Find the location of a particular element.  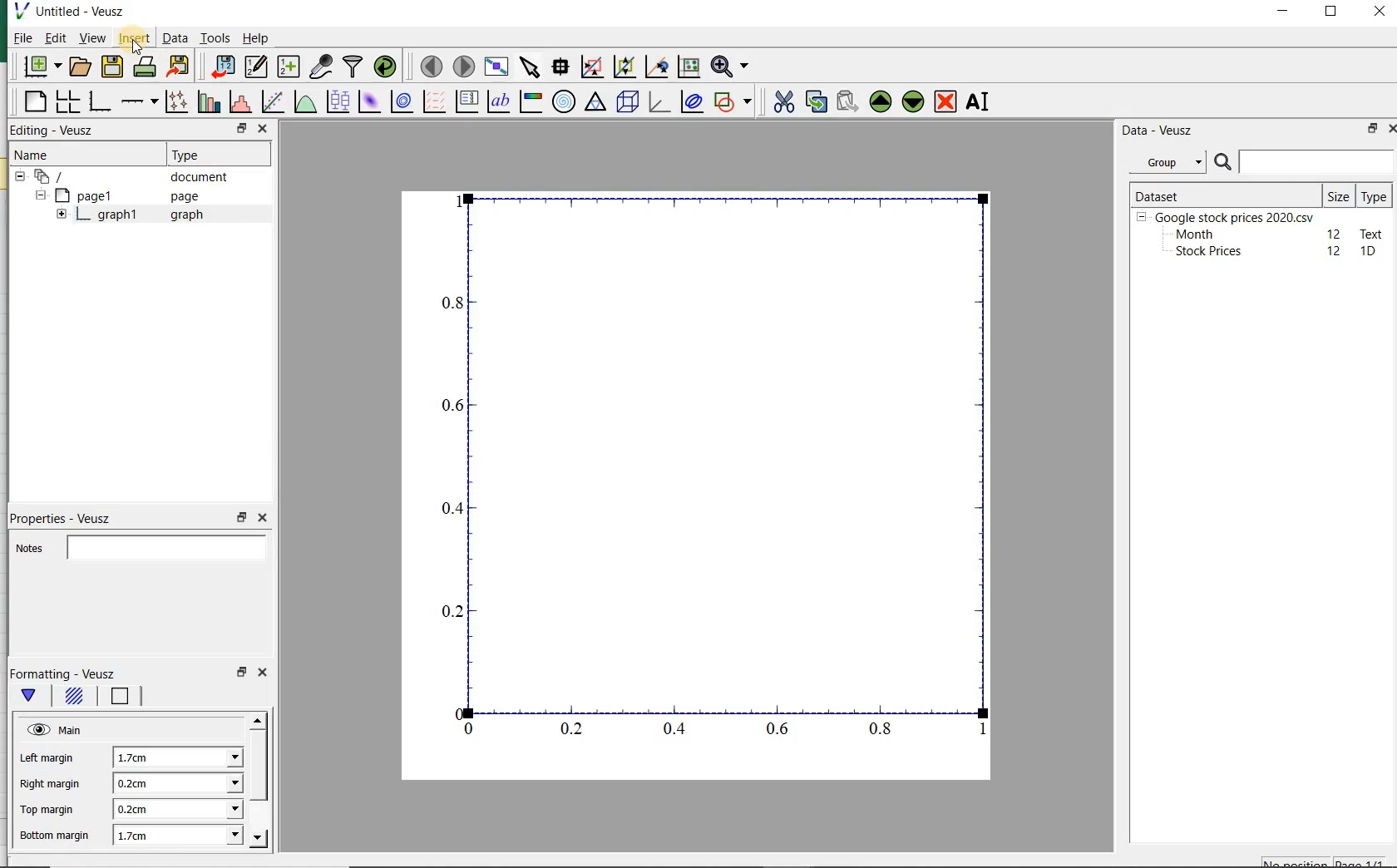

plot points with lines and errorbars is located at coordinates (173, 103).